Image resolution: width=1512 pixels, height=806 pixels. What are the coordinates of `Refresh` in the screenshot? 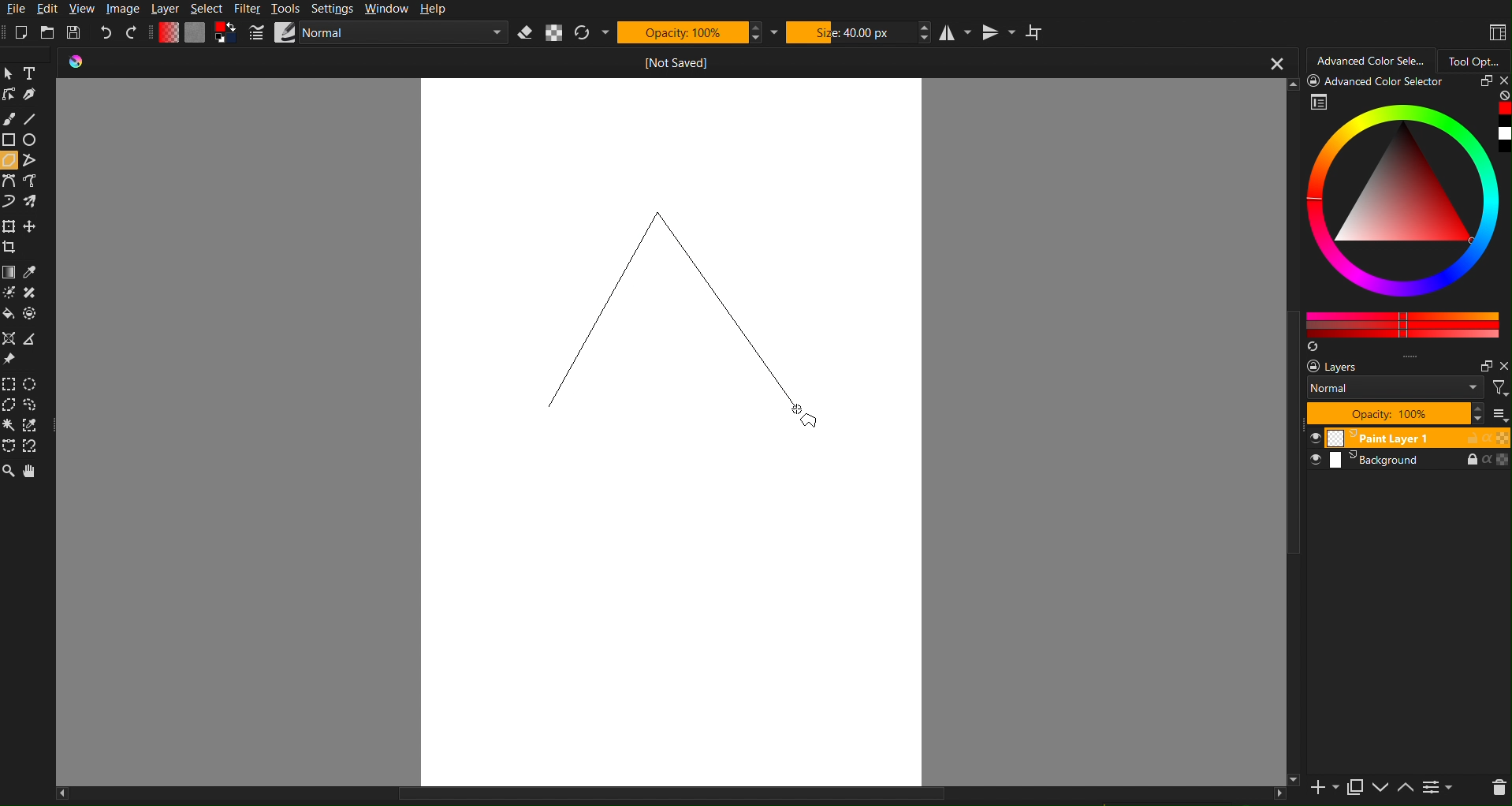 It's located at (583, 33).